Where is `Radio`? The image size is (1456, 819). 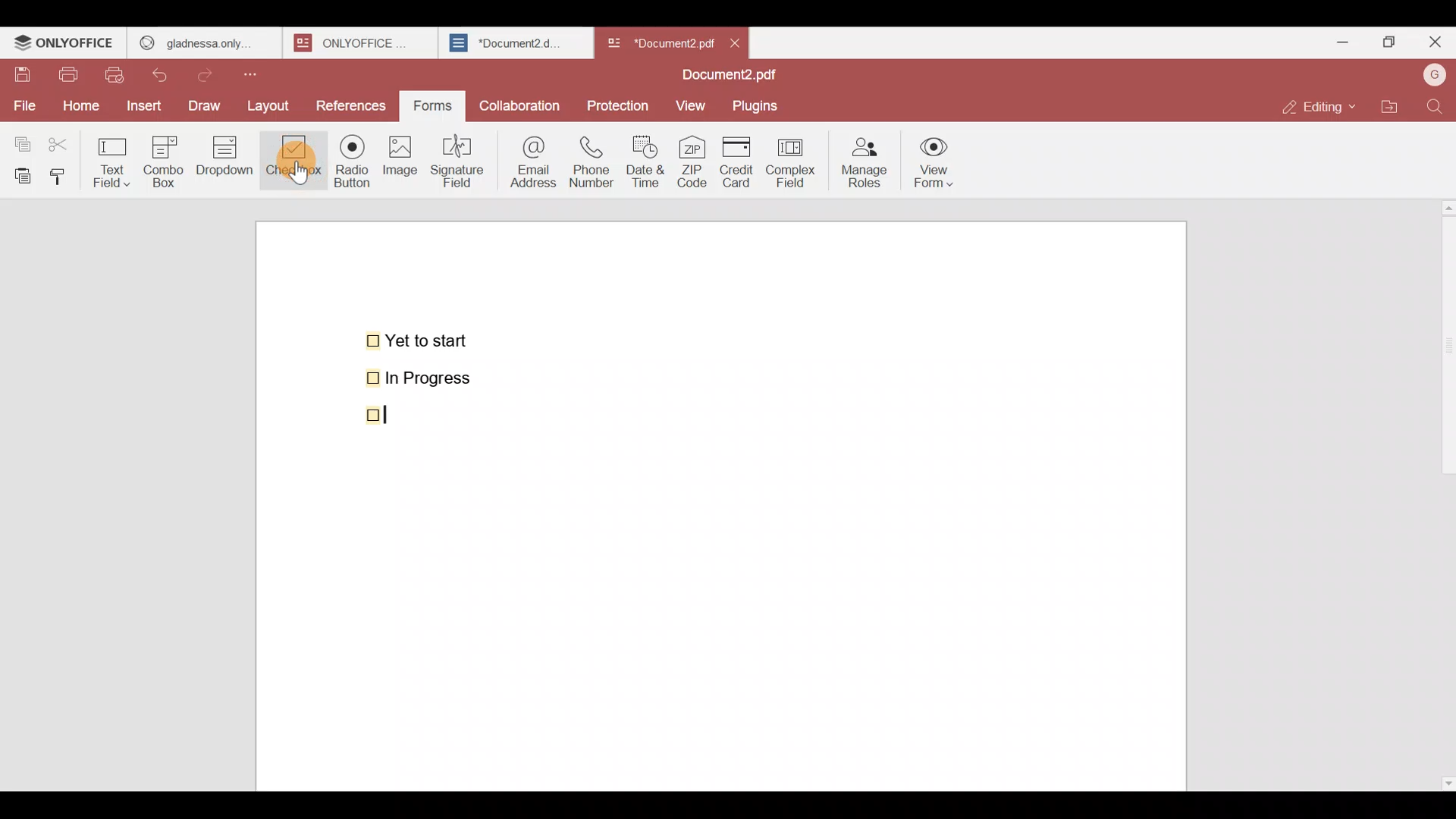 Radio is located at coordinates (347, 165).